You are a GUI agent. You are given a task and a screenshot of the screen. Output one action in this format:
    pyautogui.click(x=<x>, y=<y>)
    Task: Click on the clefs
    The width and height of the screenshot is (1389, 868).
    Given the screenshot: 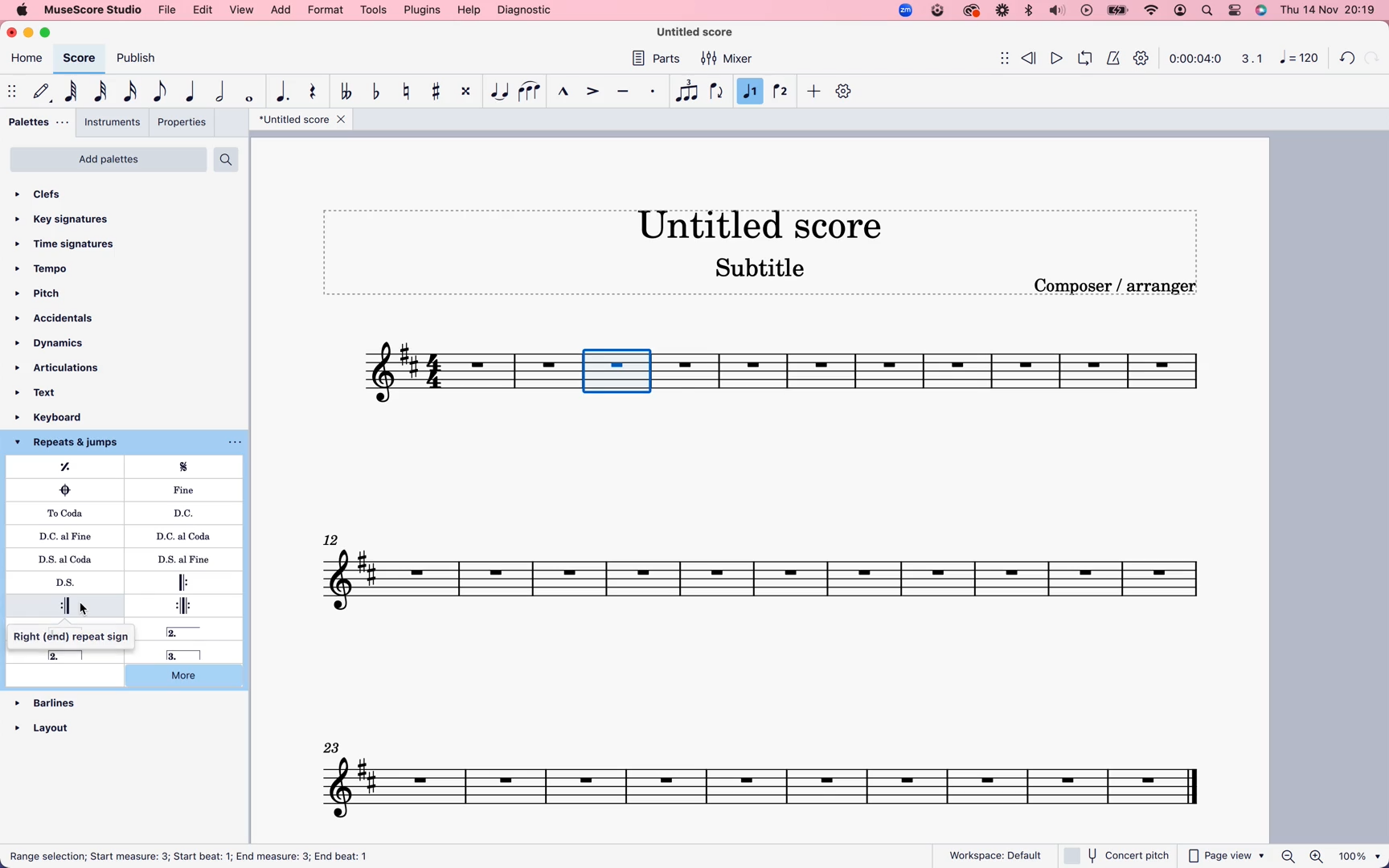 What is the action you would take?
    pyautogui.click(x=59, y=196)
    